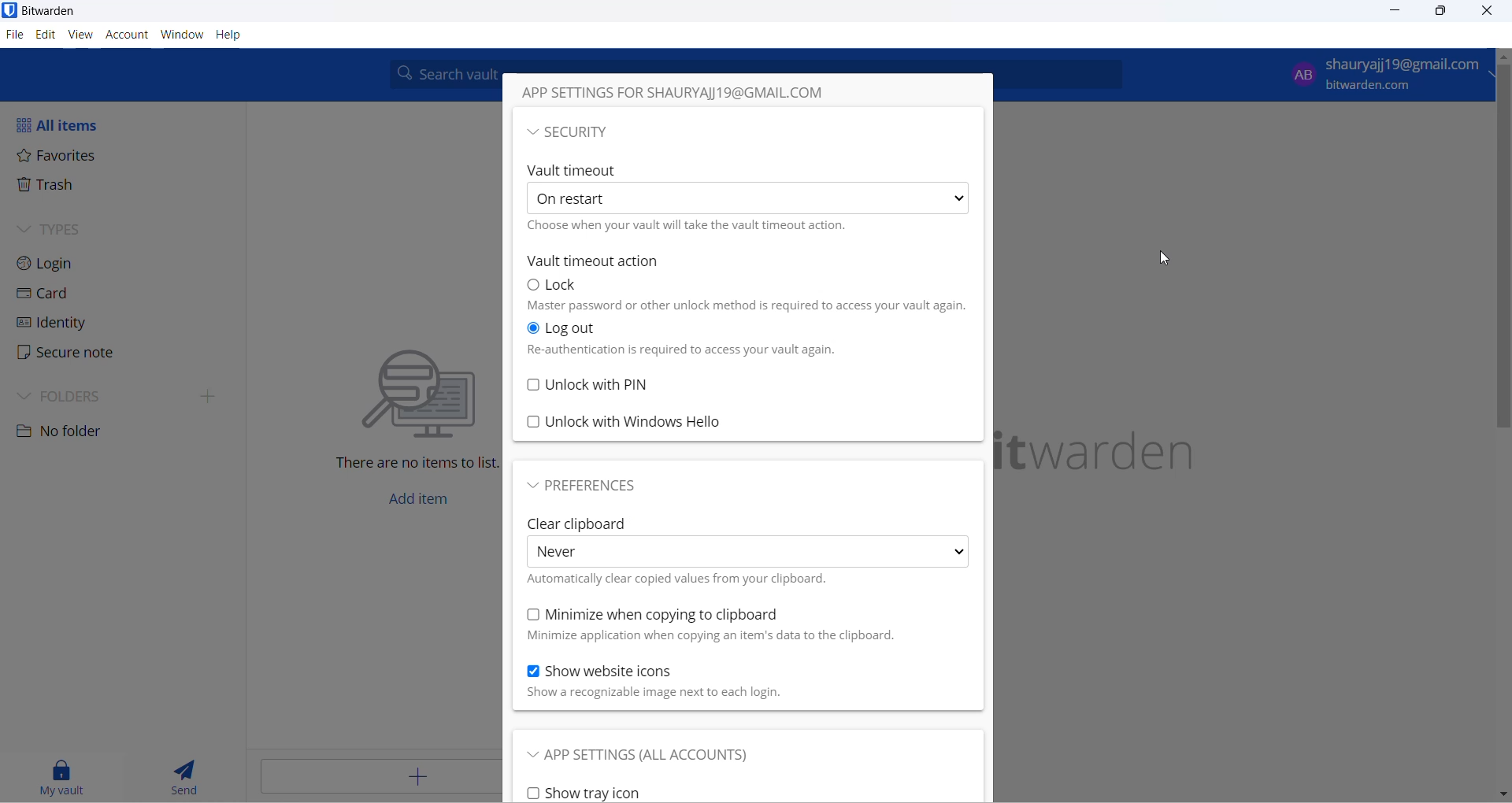 The width and height of the screenshot is (1512, 803). Describe the element at coordinates (1486, 12) in the screenshot. I see `close` at that location.